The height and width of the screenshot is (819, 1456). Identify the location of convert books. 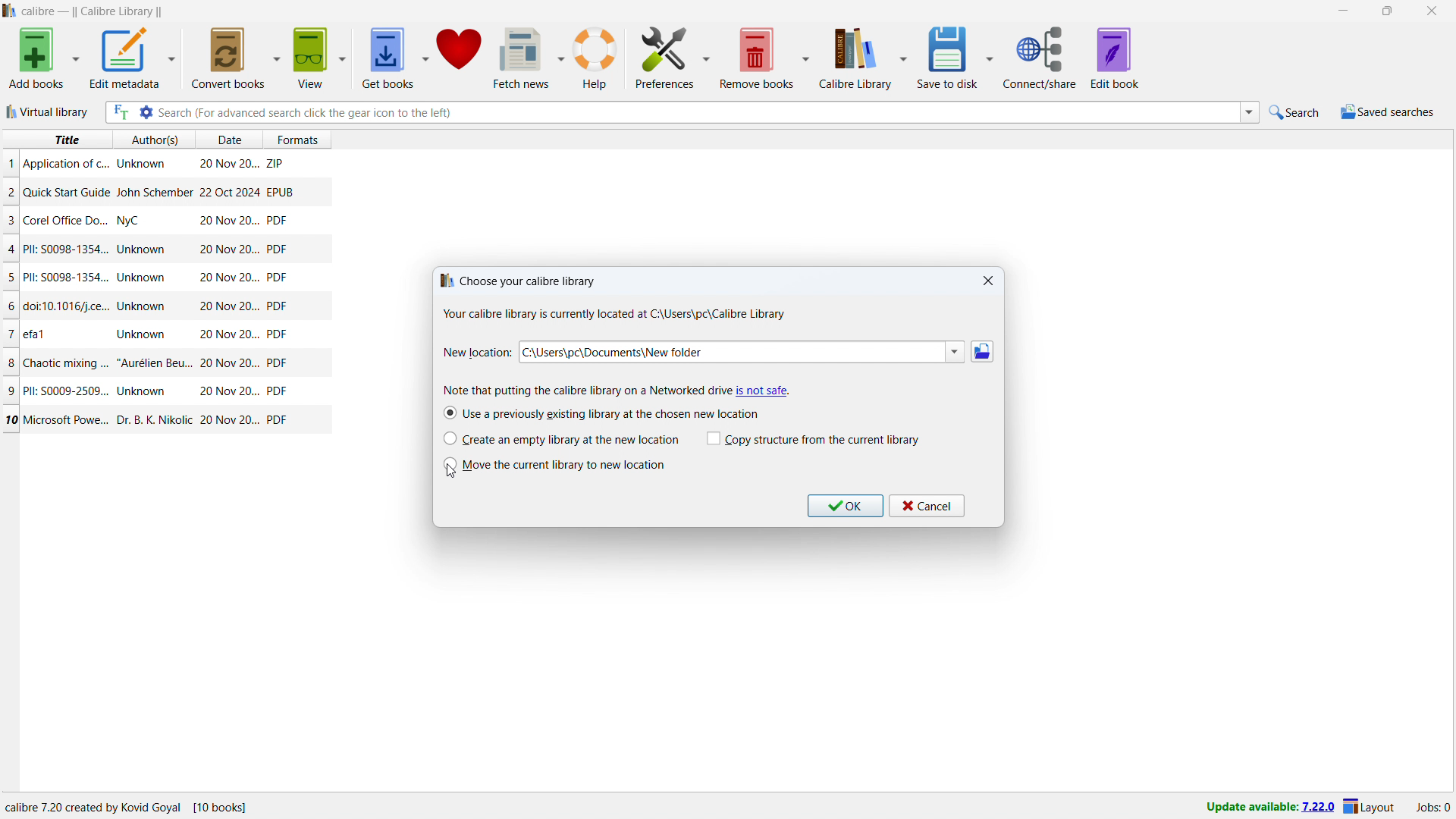
(229, 57).